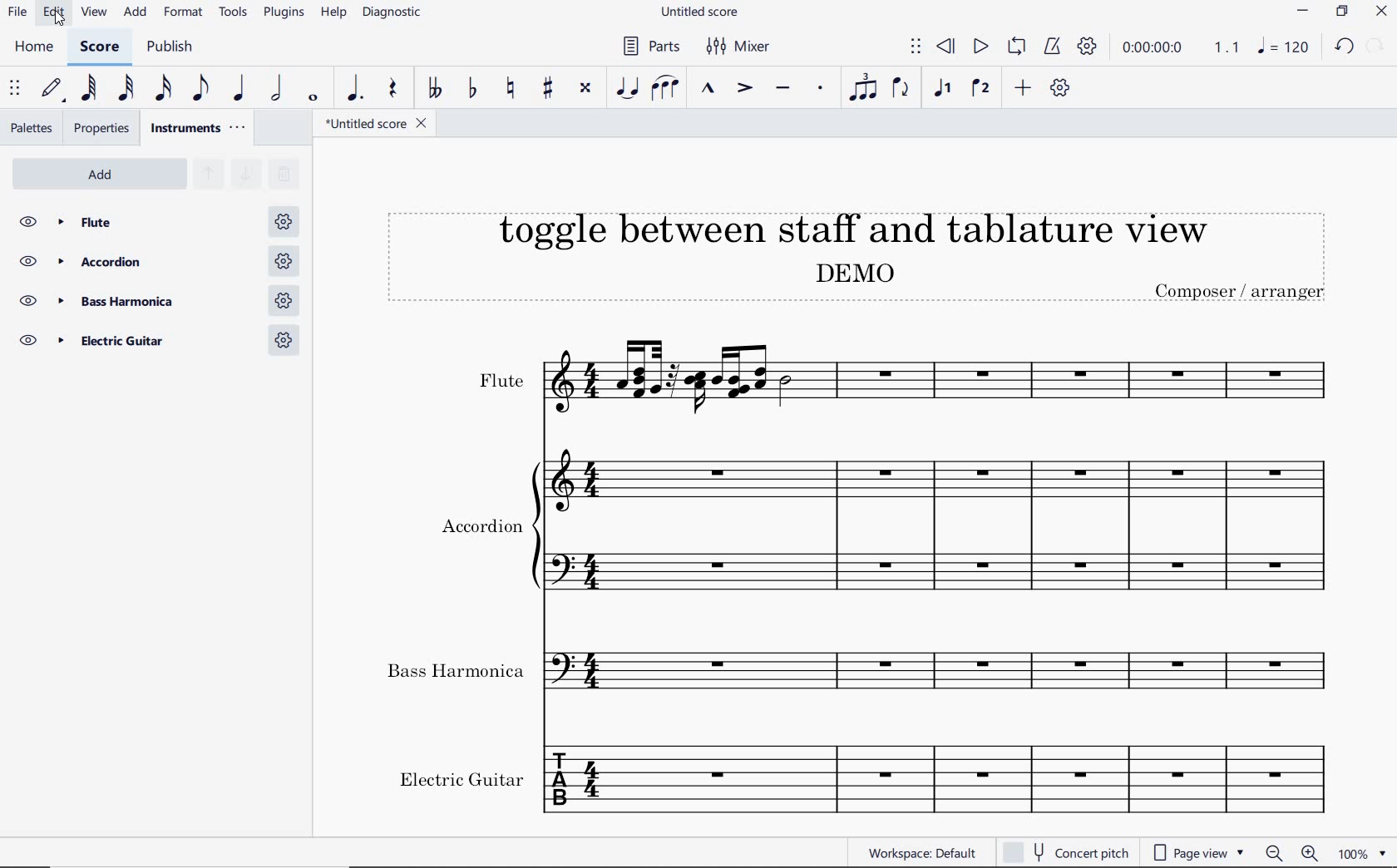 Image resolution: width=1397 pixels, height=868 pixels. Describe the element at coordinates (52, 15) in the screenshot. I see `edit` at that location.